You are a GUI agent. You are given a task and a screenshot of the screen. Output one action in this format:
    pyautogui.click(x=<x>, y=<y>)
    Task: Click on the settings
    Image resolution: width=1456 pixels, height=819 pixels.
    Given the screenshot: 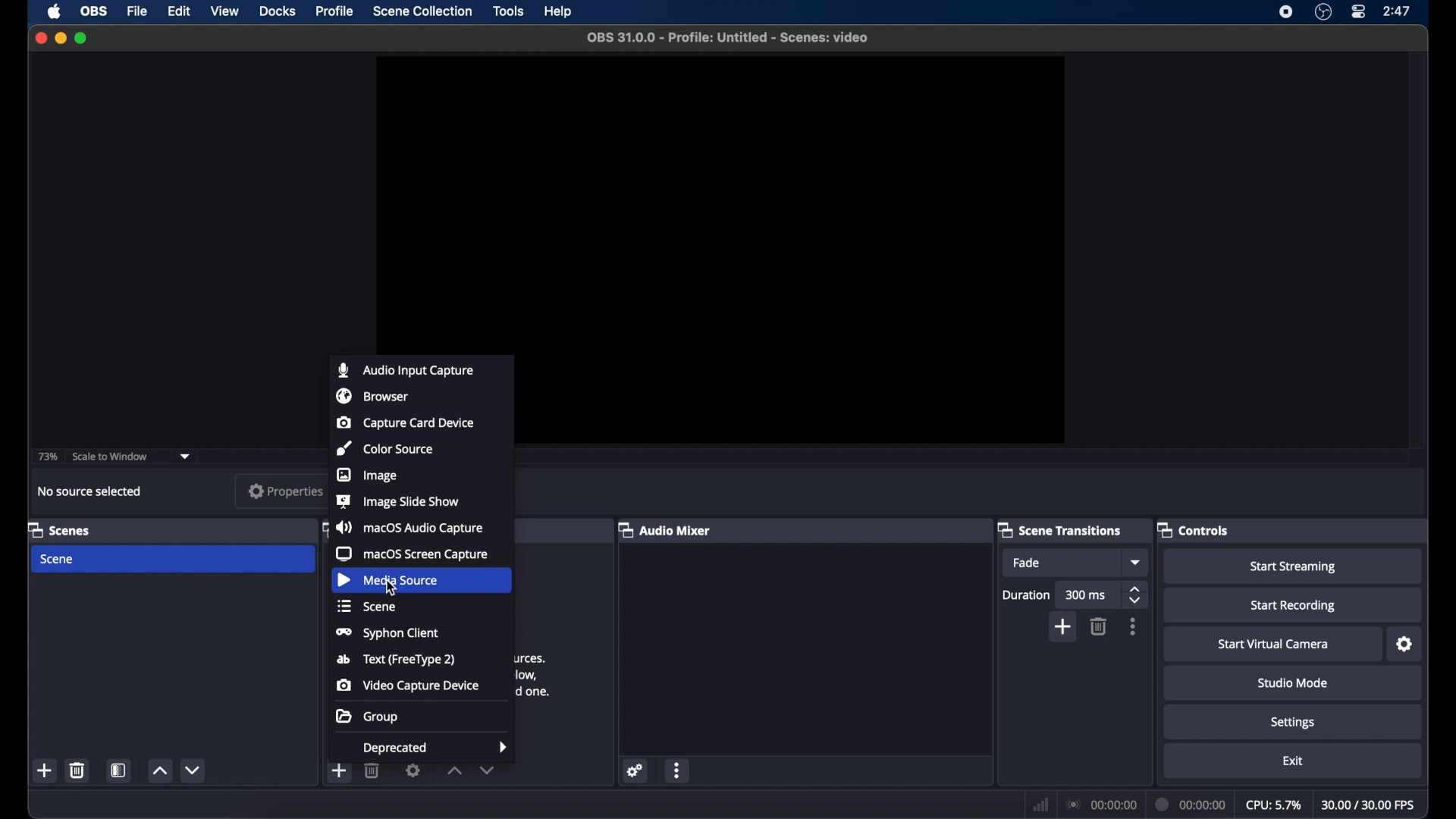 What is the action you would take?
    pyautogui.click(x=636, y=770)
    